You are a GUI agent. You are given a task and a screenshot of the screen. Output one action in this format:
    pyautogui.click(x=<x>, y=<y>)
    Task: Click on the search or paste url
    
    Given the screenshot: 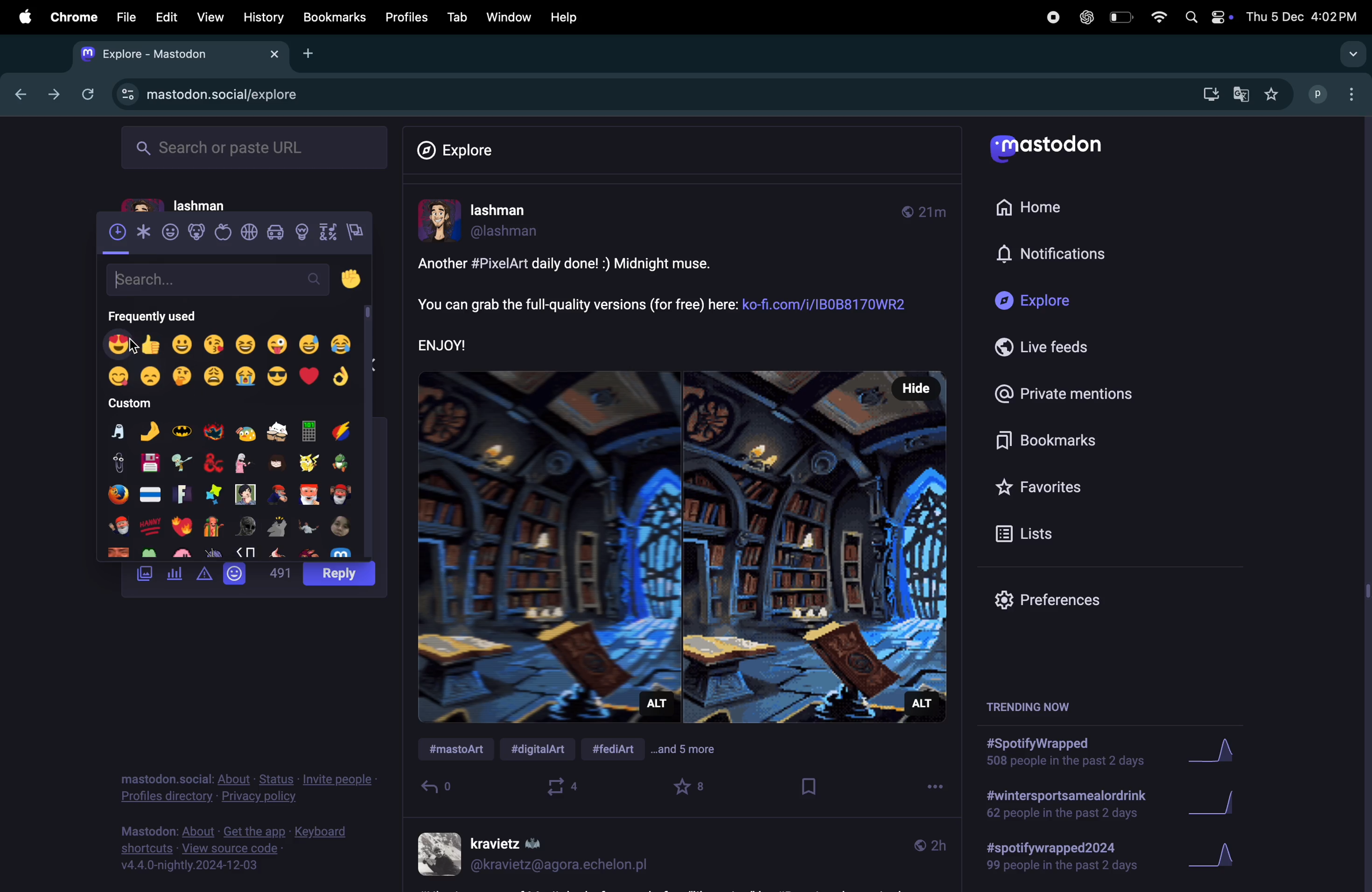 What is the action you would take?
    pyautogui.click(x=254, y=146)
    